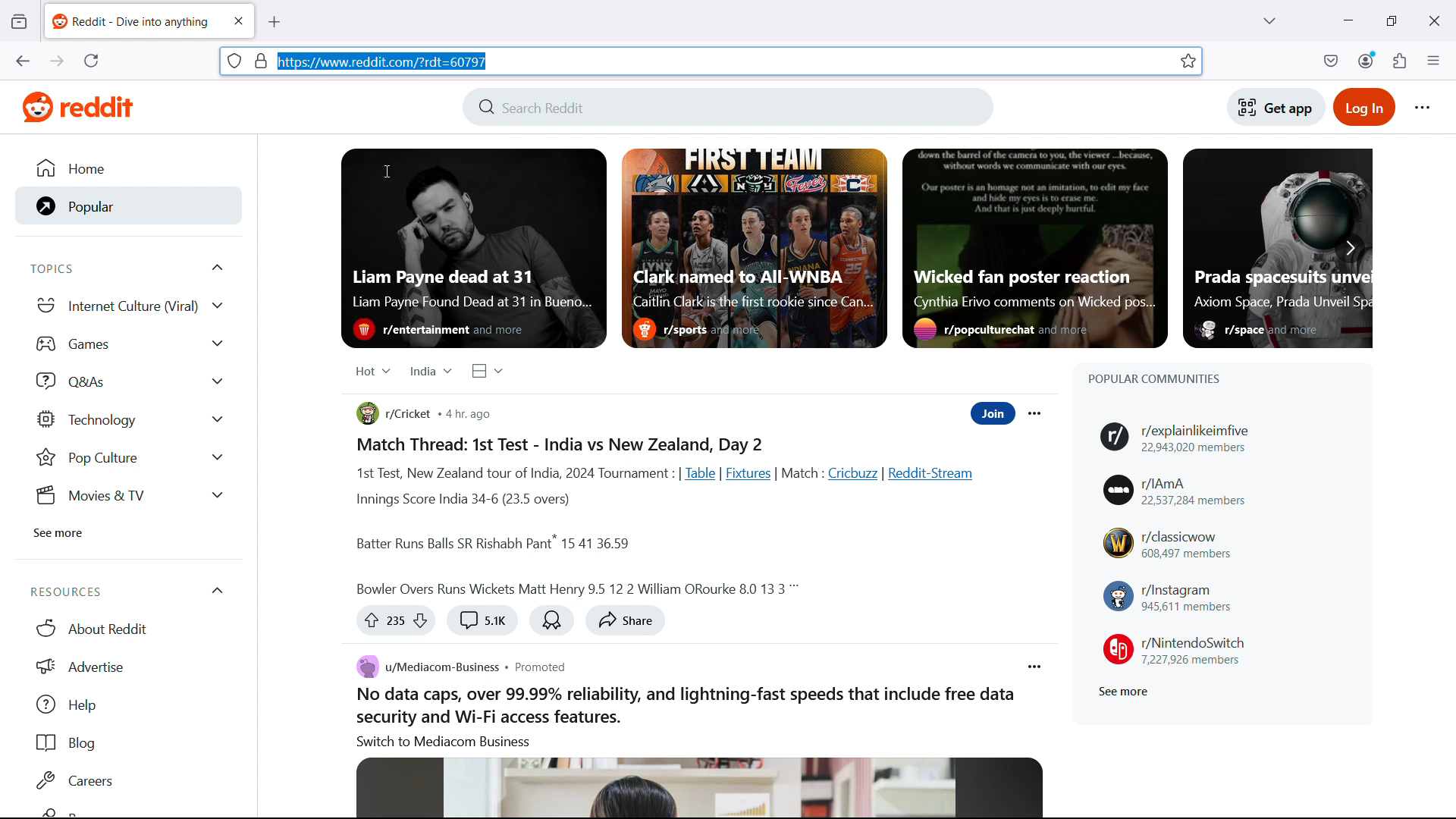  What do you see at coordinates (1367, 59) in the screenshot?
I see `account` at bounding box center [1367, 59].